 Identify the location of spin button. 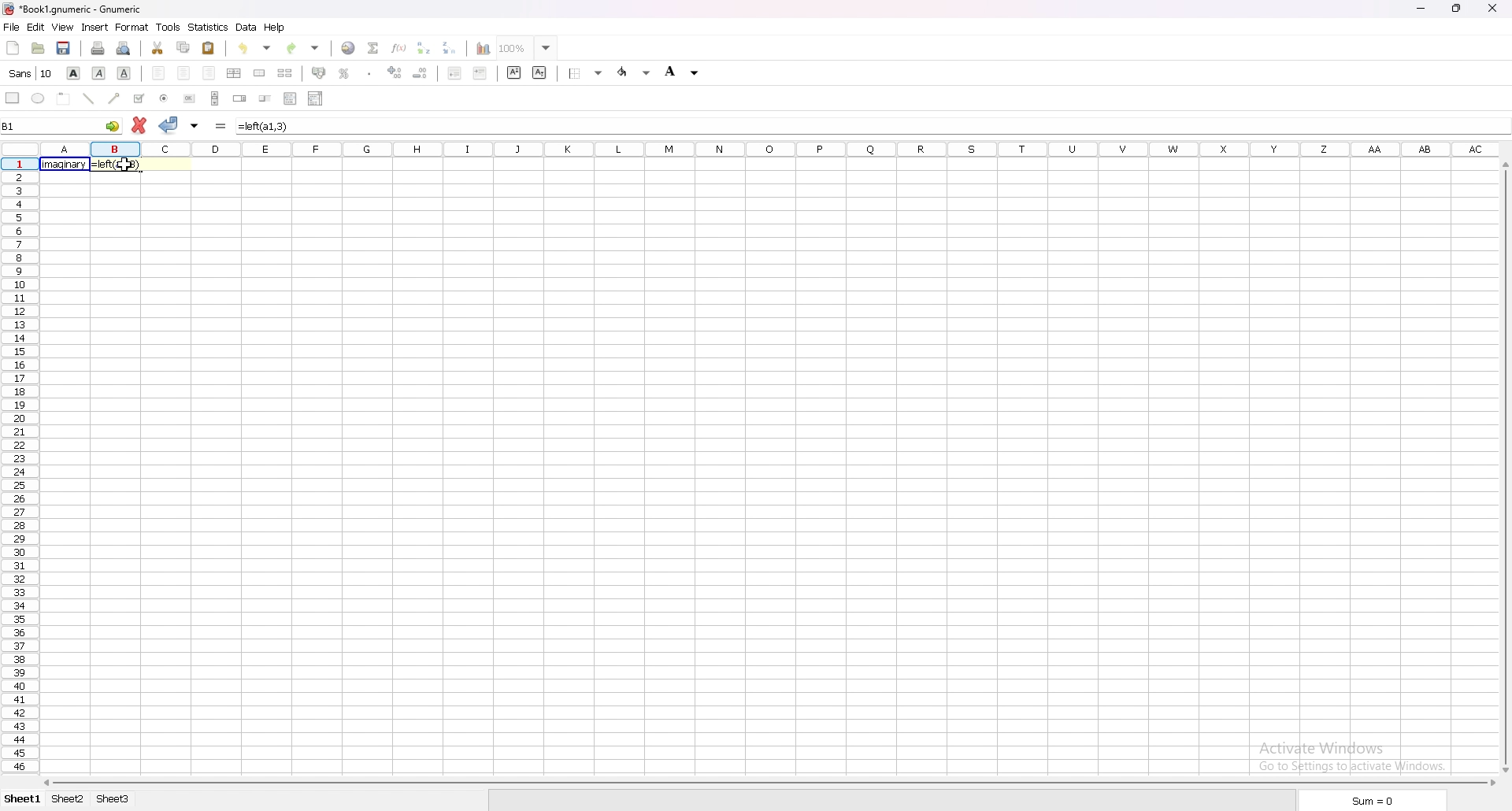
(240, 98).